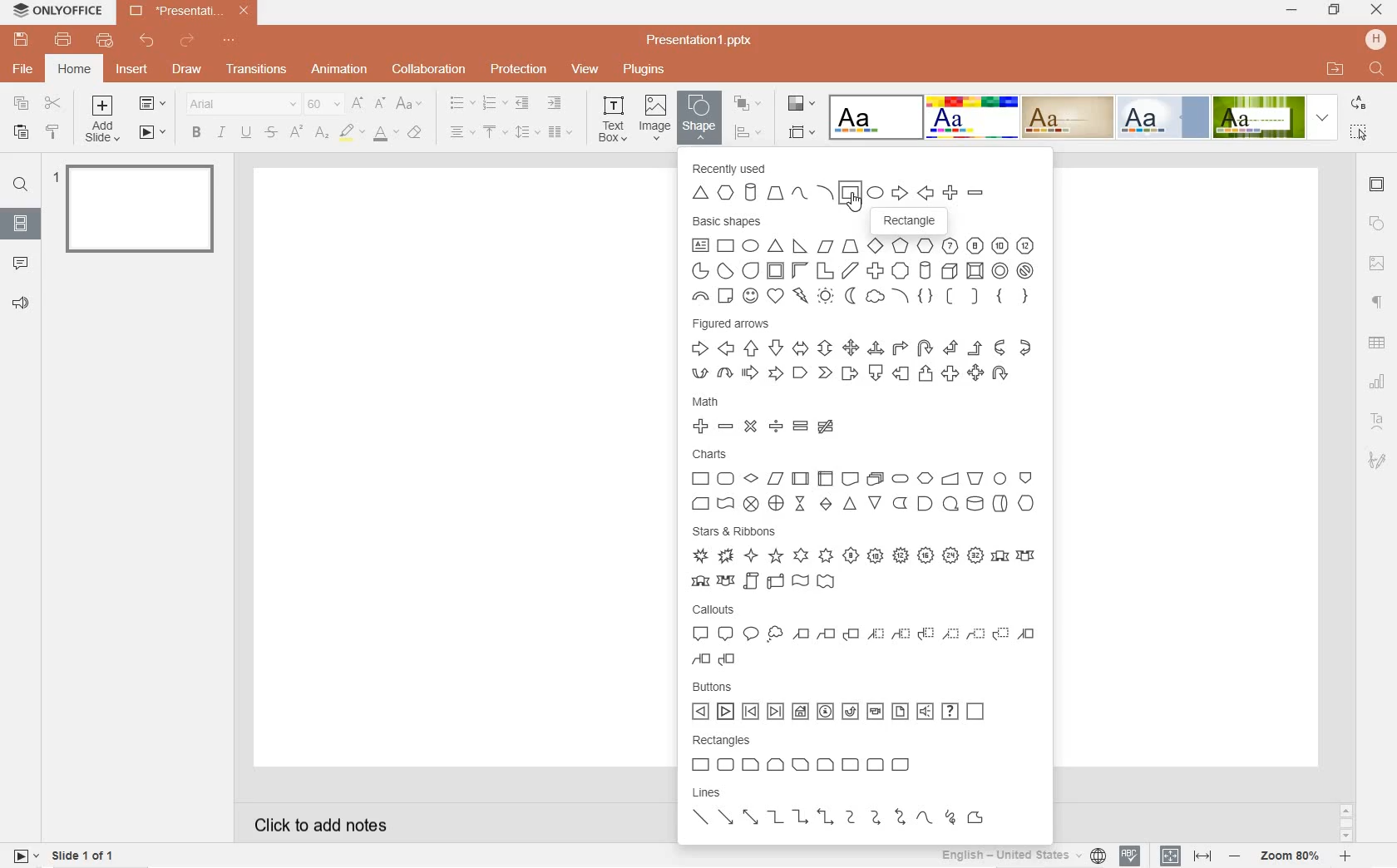  I want to click on Left right arrow callout, so click(950, 374).